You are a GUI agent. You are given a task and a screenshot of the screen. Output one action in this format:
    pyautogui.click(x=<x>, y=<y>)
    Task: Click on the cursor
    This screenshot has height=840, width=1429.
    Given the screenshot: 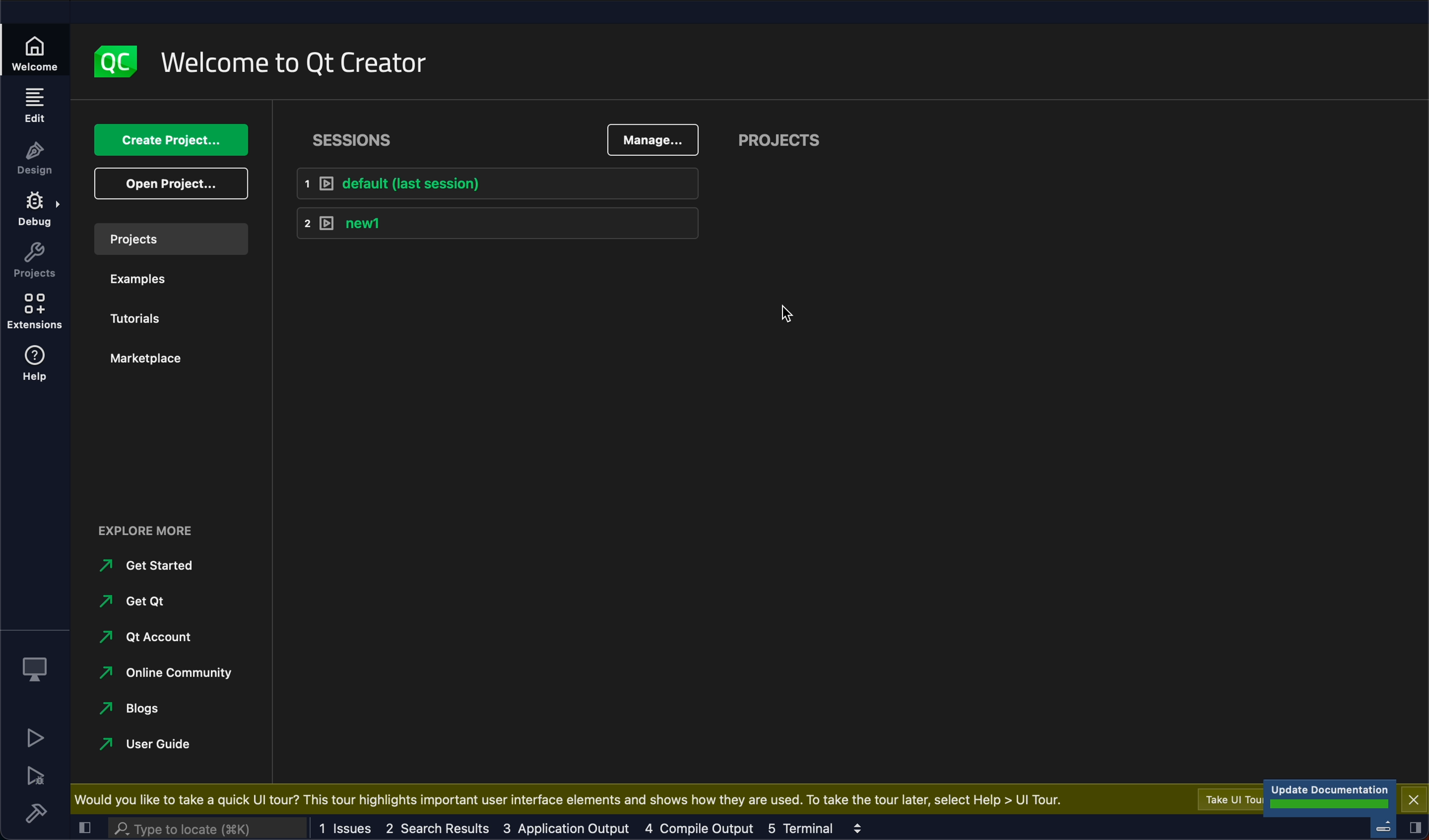 What is the action you would take?
    pyautogui.click(x=791, y=310)
    